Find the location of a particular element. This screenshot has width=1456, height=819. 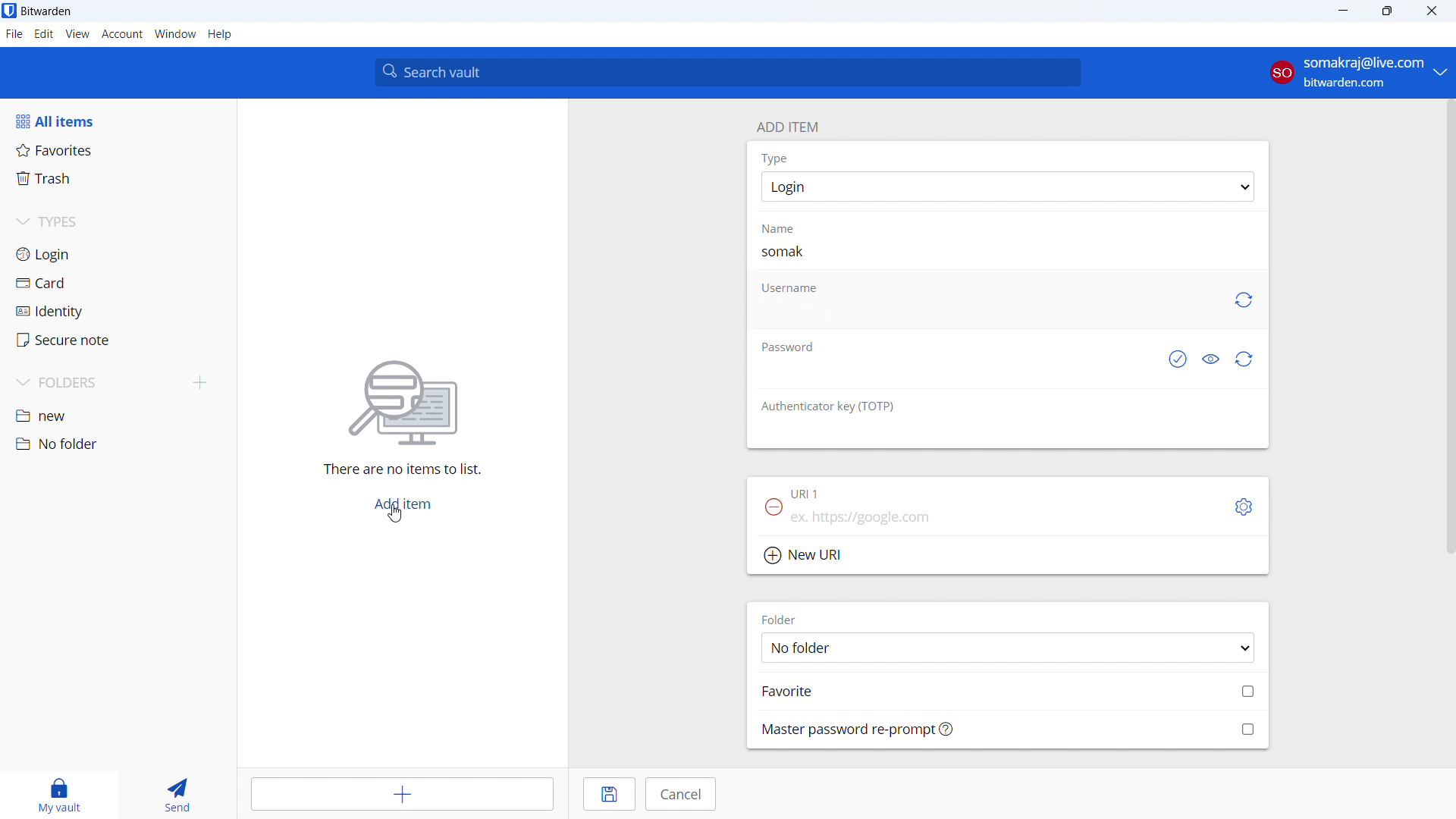

edit is located at coordinates (44, 34).